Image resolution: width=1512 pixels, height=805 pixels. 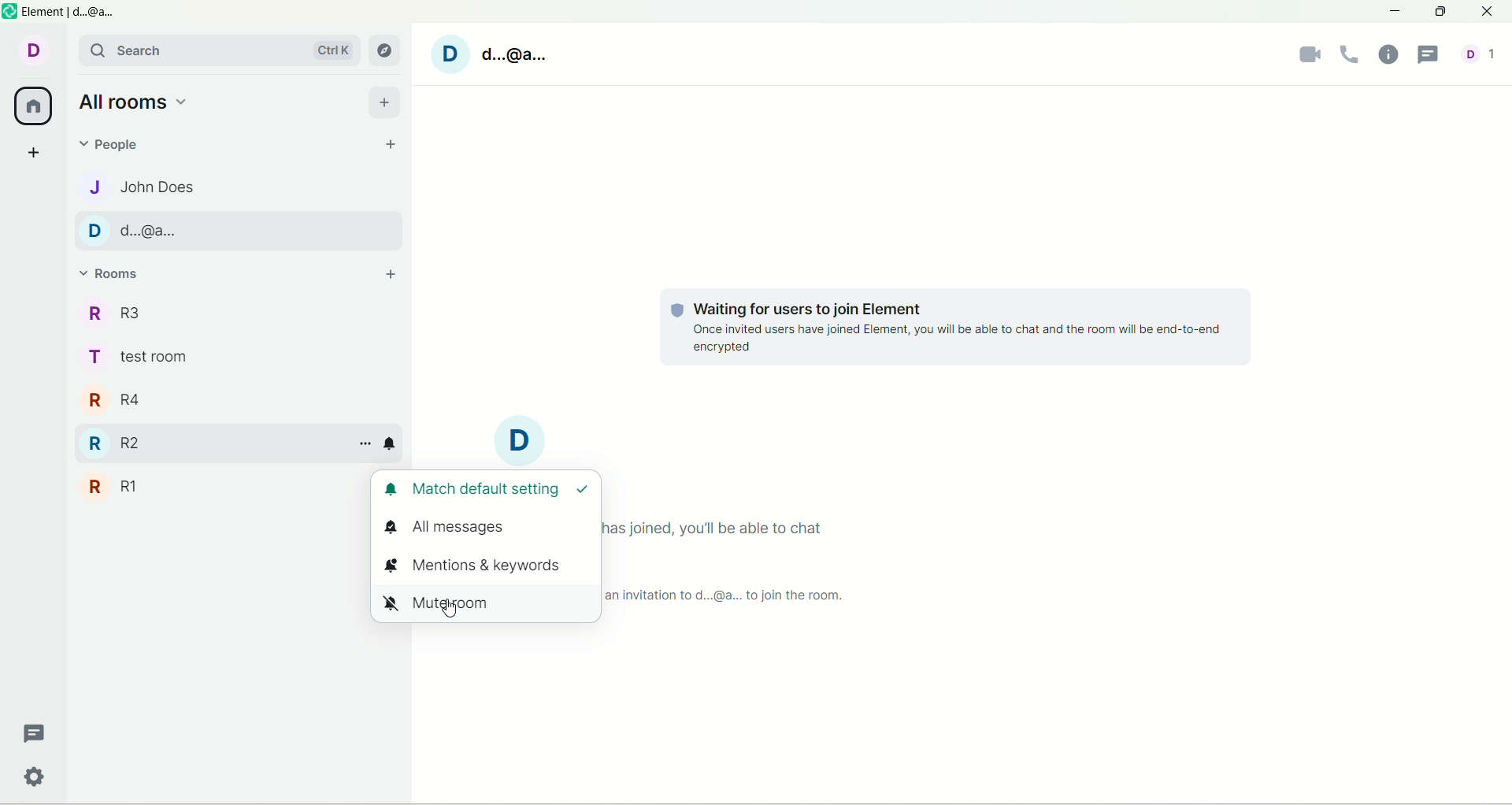 What do you see at coordinates (1396, 12) in the screenshot?
I see `minimize` at bounding box center [1396, 12].